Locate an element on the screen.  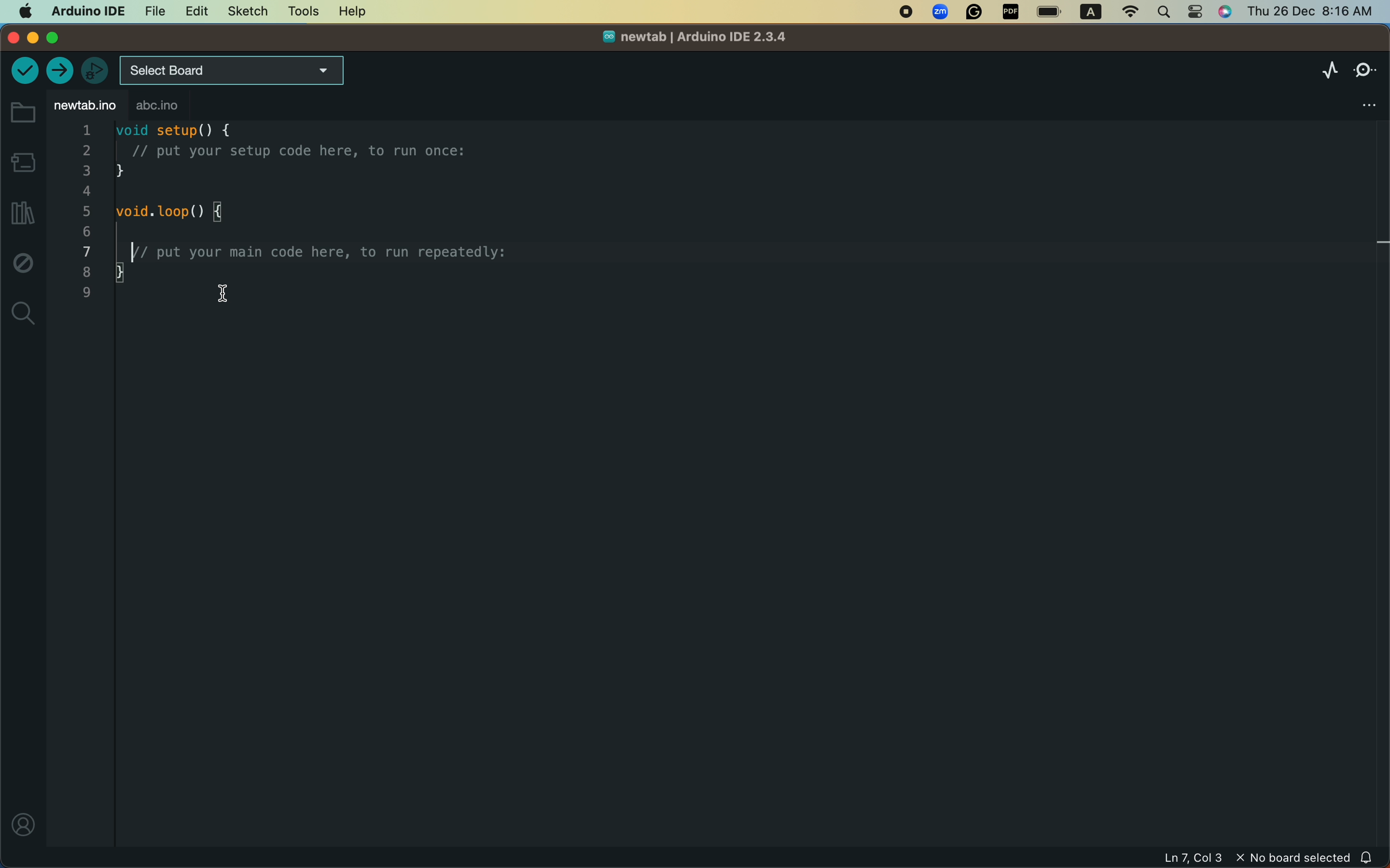
language is located at coordinates (1086, 13).